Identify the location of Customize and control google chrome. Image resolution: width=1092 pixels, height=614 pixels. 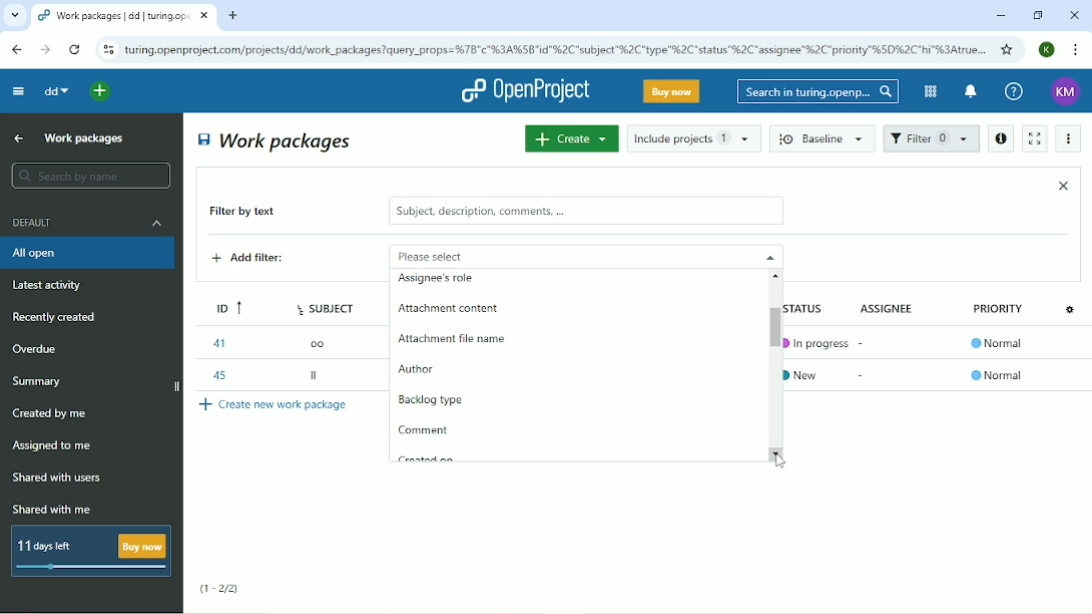
(1077, 50).